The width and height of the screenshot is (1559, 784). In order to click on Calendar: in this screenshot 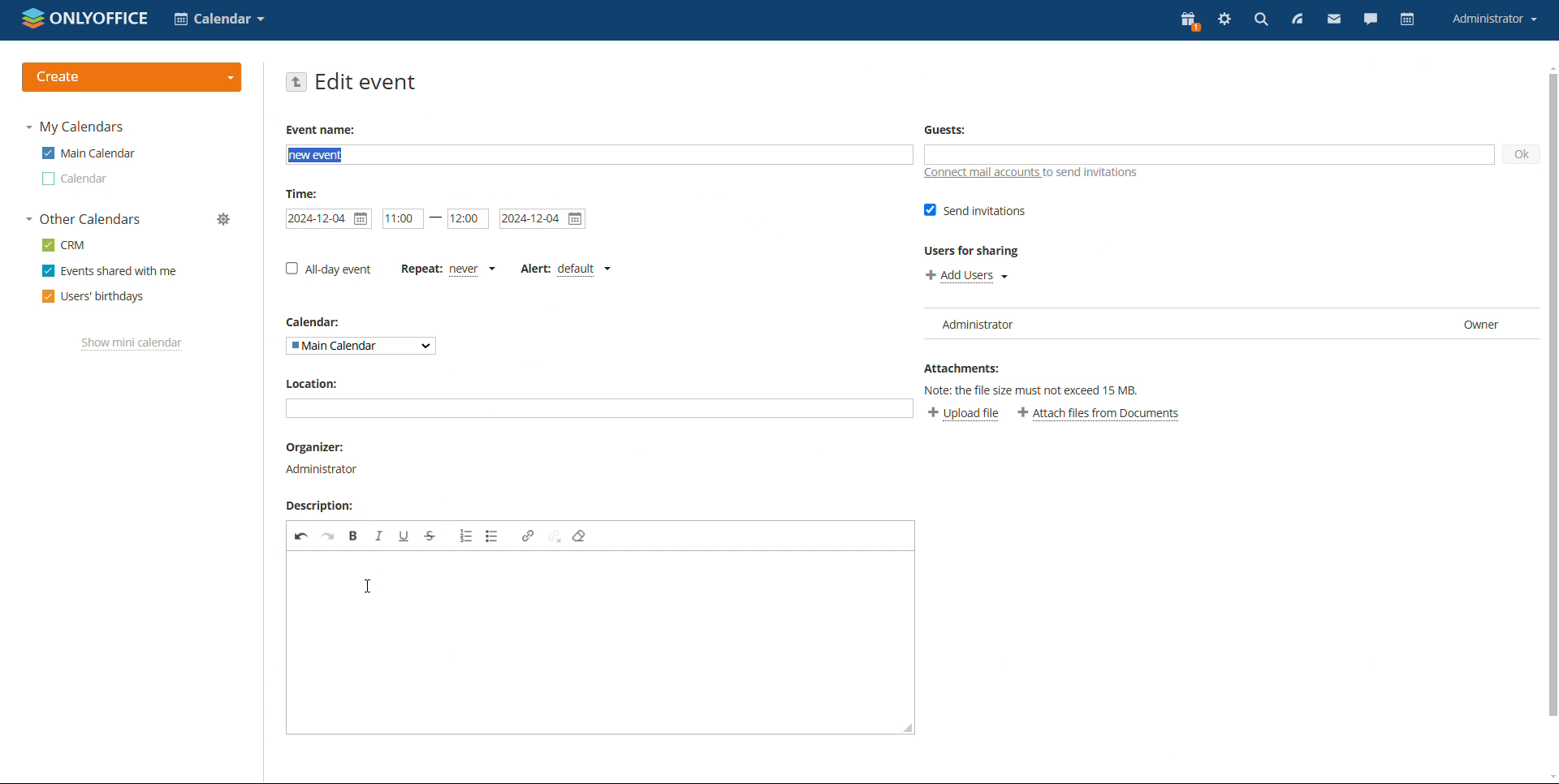, I will do `click(322, 322)`.